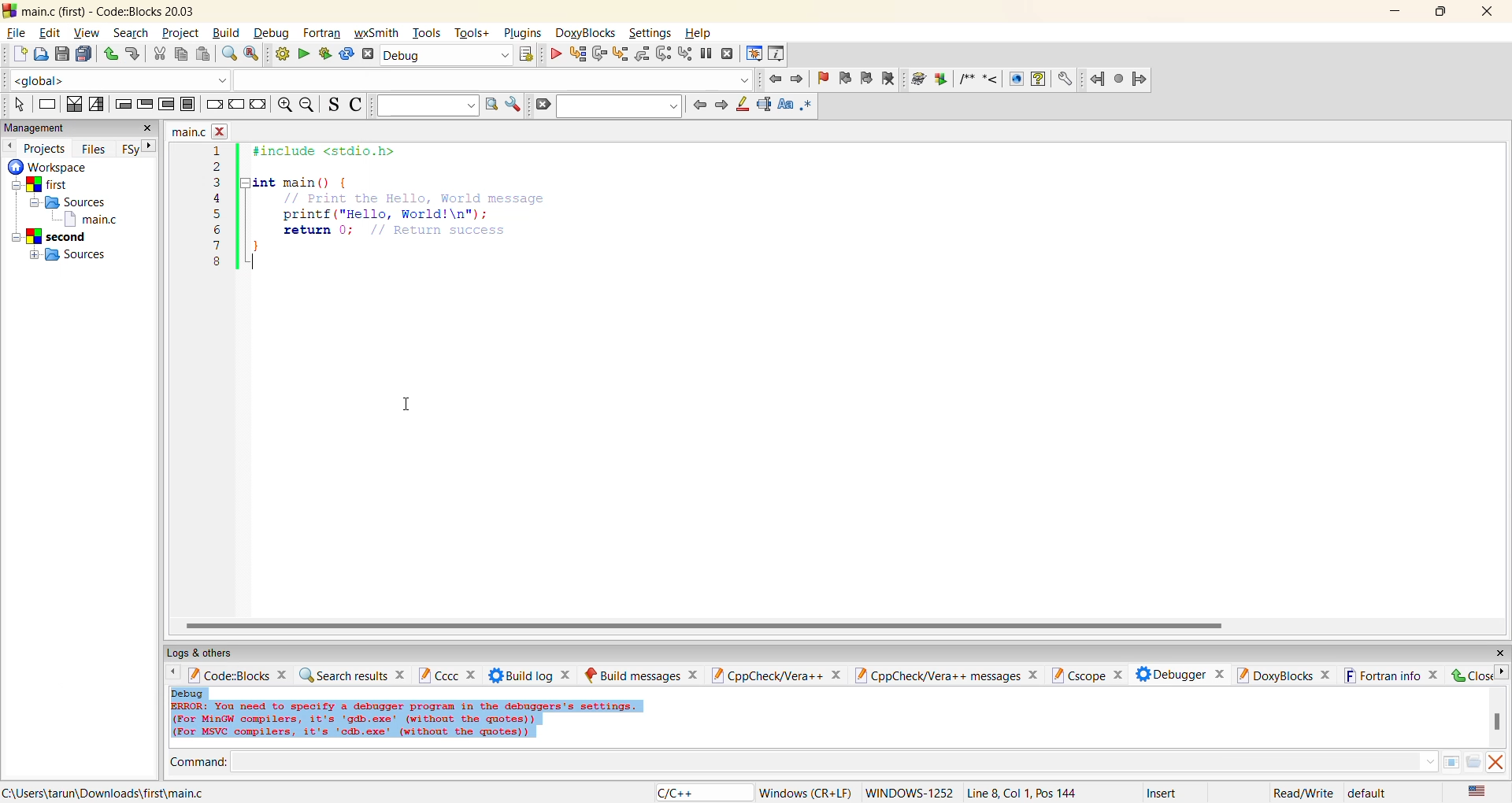 This screenshot has width=1512, height=803. What do you see at coordinates (227, 54) in the screenshot?
I see `find` at bounding box center [227, 54].